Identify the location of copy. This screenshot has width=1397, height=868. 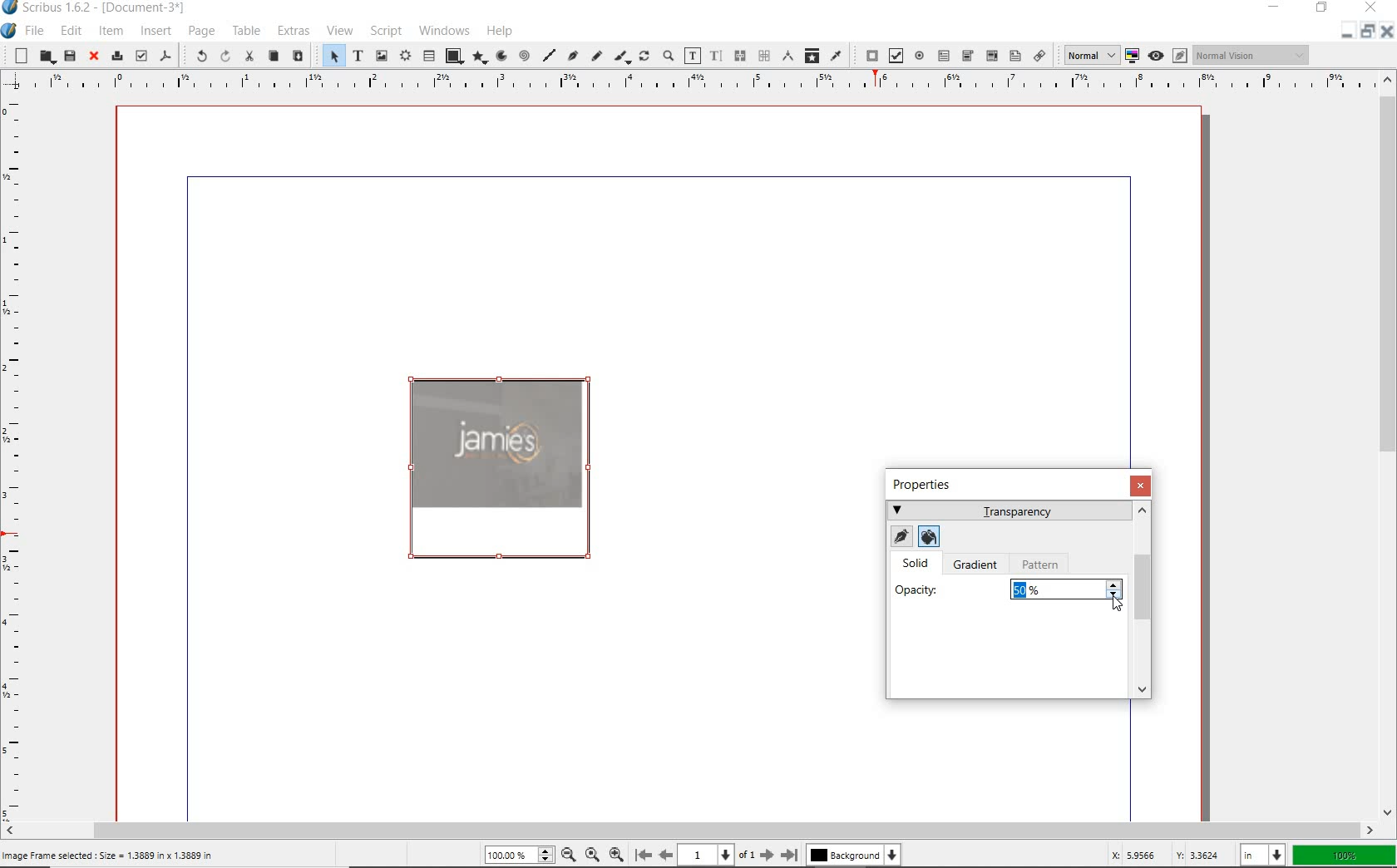
(274, 56).